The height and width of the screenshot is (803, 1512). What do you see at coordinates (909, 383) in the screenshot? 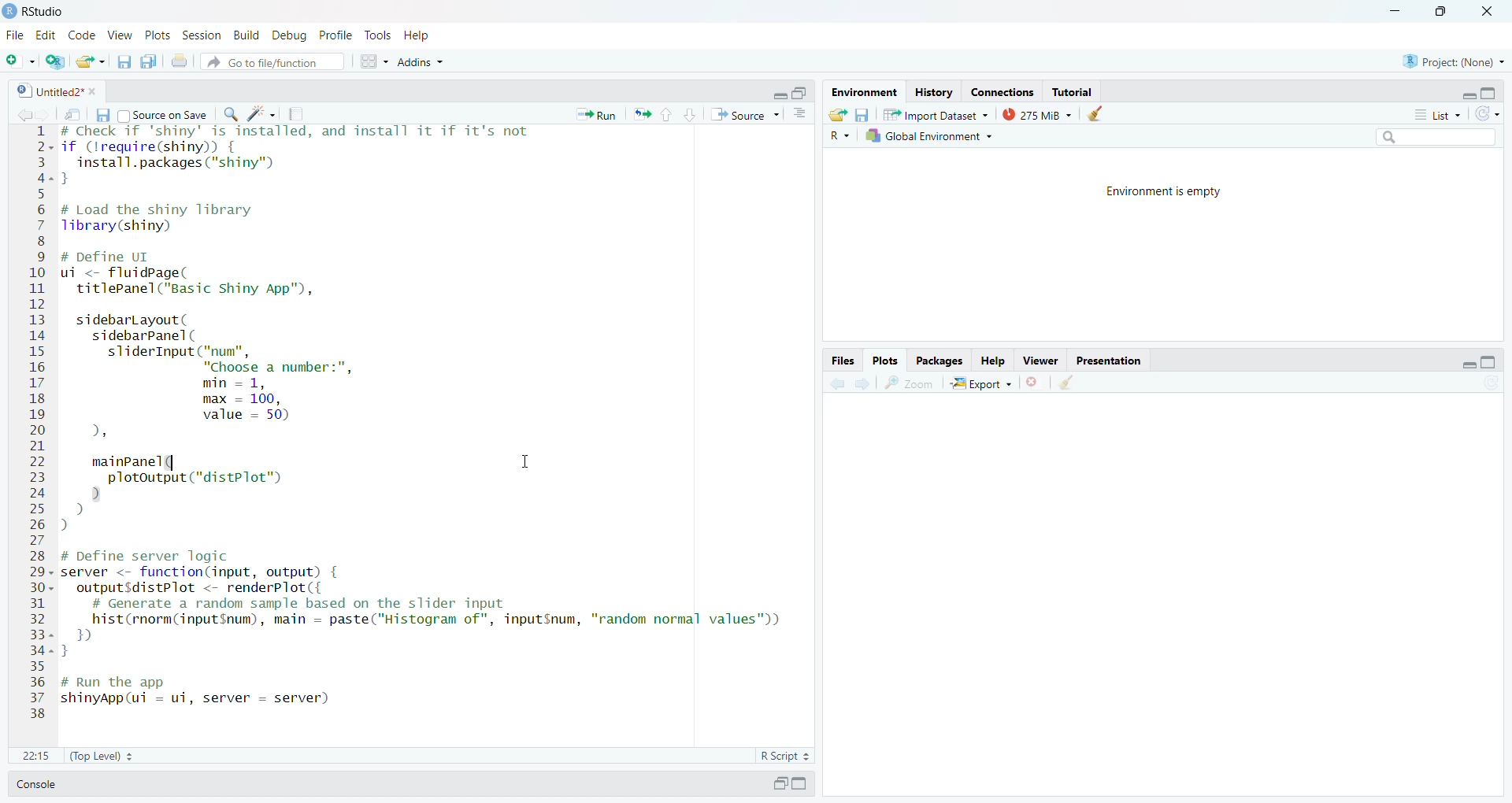
I see `Zoom` at bounding box center [909, 383].